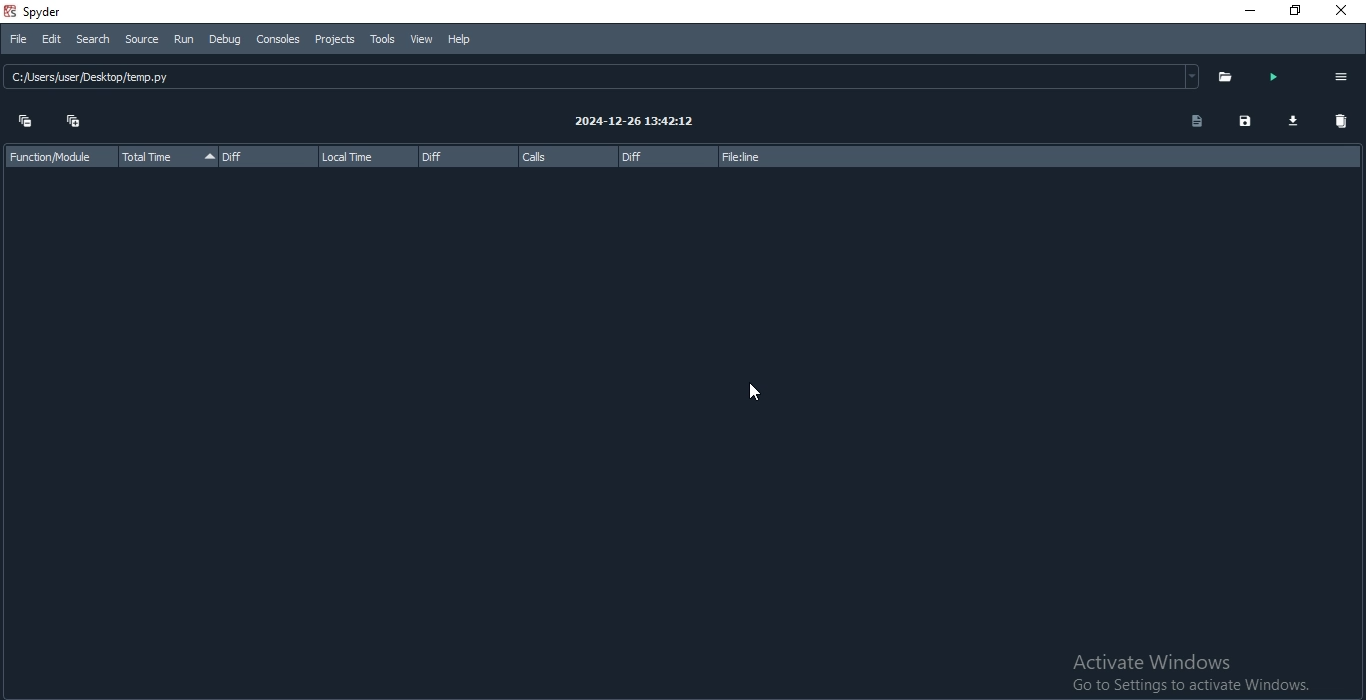 This screenshot has height=700, width=1366. What do you see at coordinates (59, 10) in the screenshot?
I see `spyder` at bounding box center [59, 10].